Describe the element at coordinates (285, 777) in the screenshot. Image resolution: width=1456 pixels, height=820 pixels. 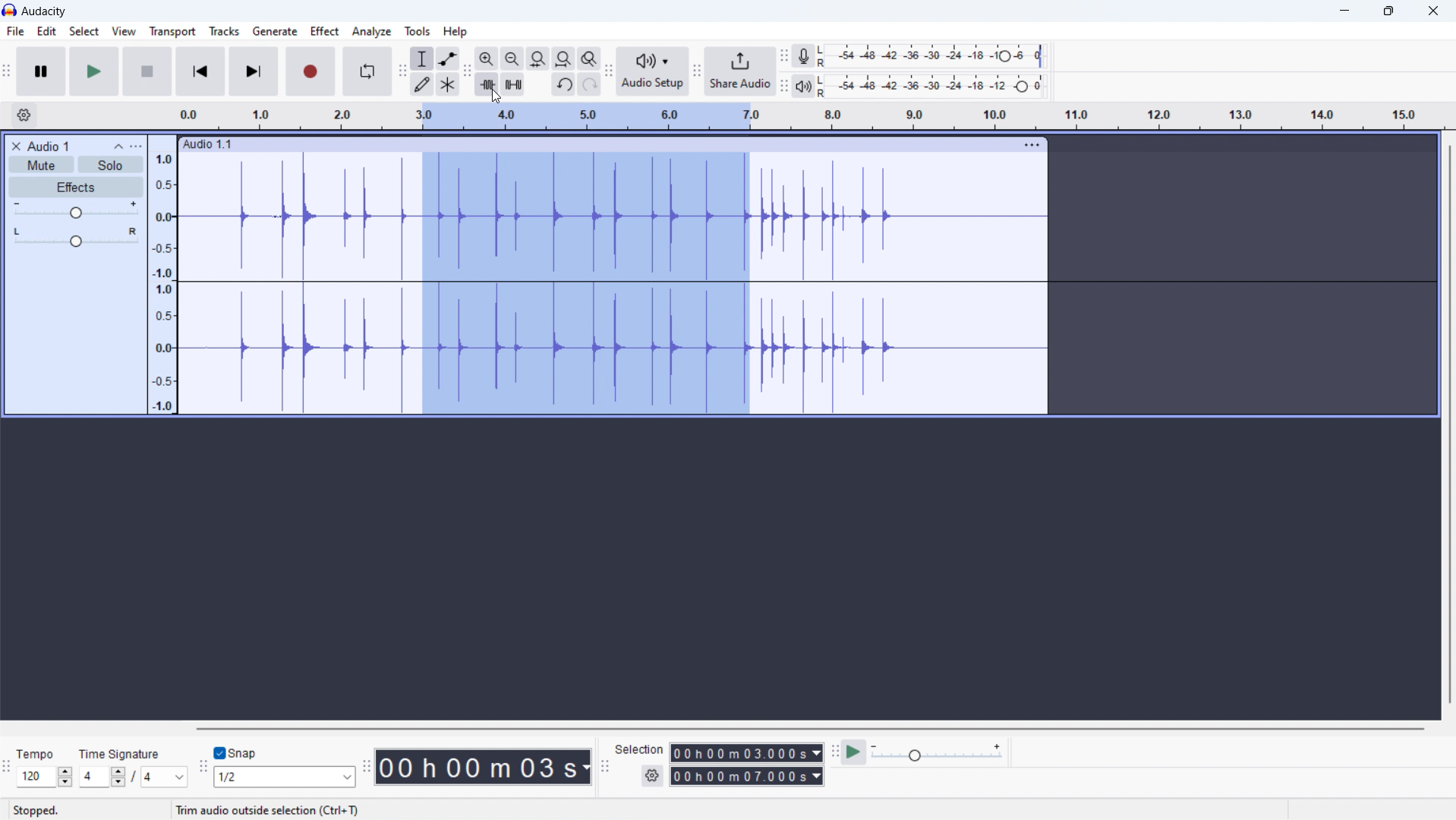
I see `1/2 (select snap)` at that location.